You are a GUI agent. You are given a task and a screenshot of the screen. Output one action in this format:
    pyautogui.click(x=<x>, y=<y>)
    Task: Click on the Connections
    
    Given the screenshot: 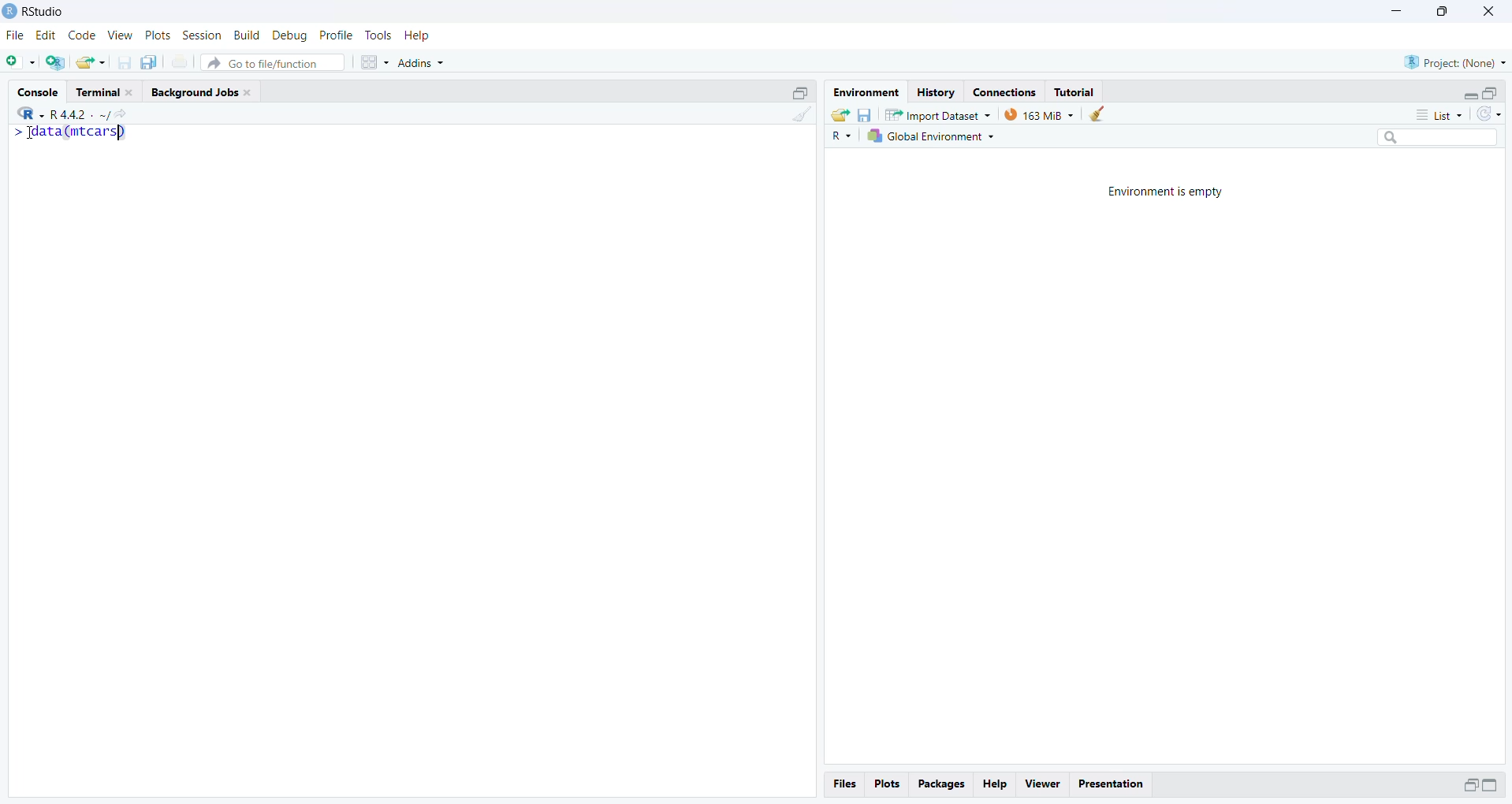 What is the action you would take?
    pyautogui.click(x=1005, y=93)
    